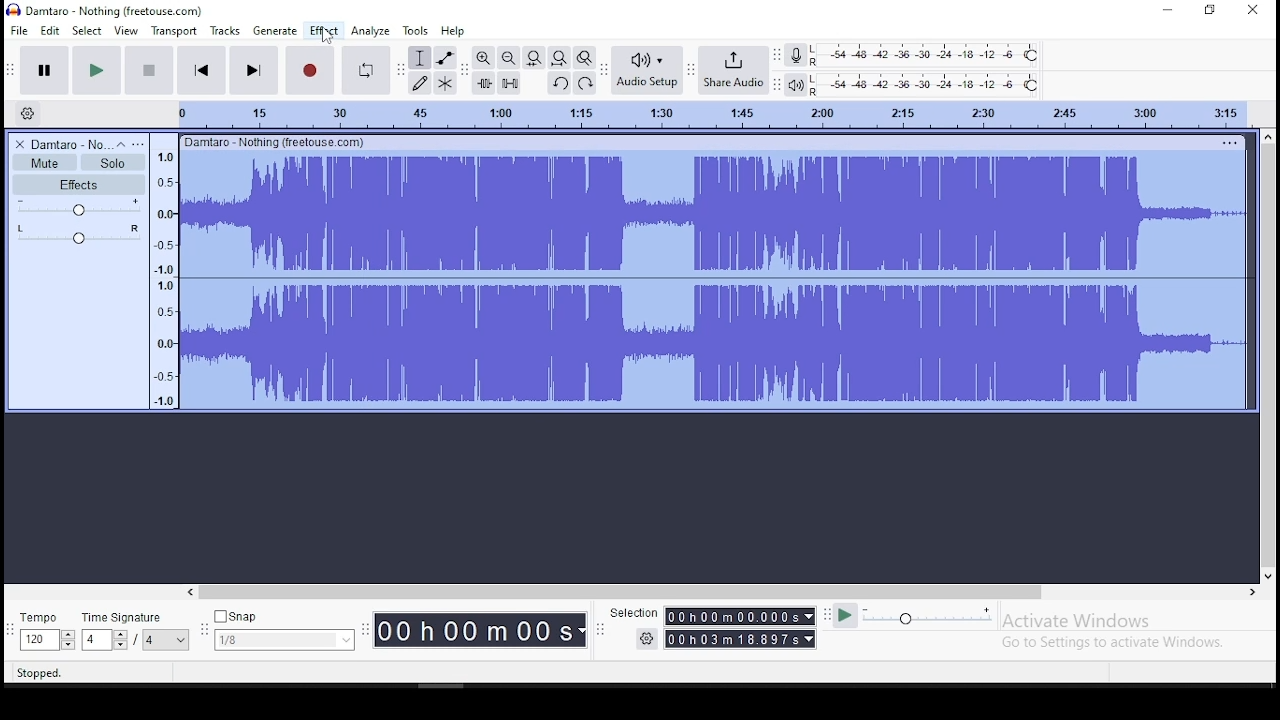 This screenshot has width=1280, height=720. I want to click on /4, so click(147, 641).